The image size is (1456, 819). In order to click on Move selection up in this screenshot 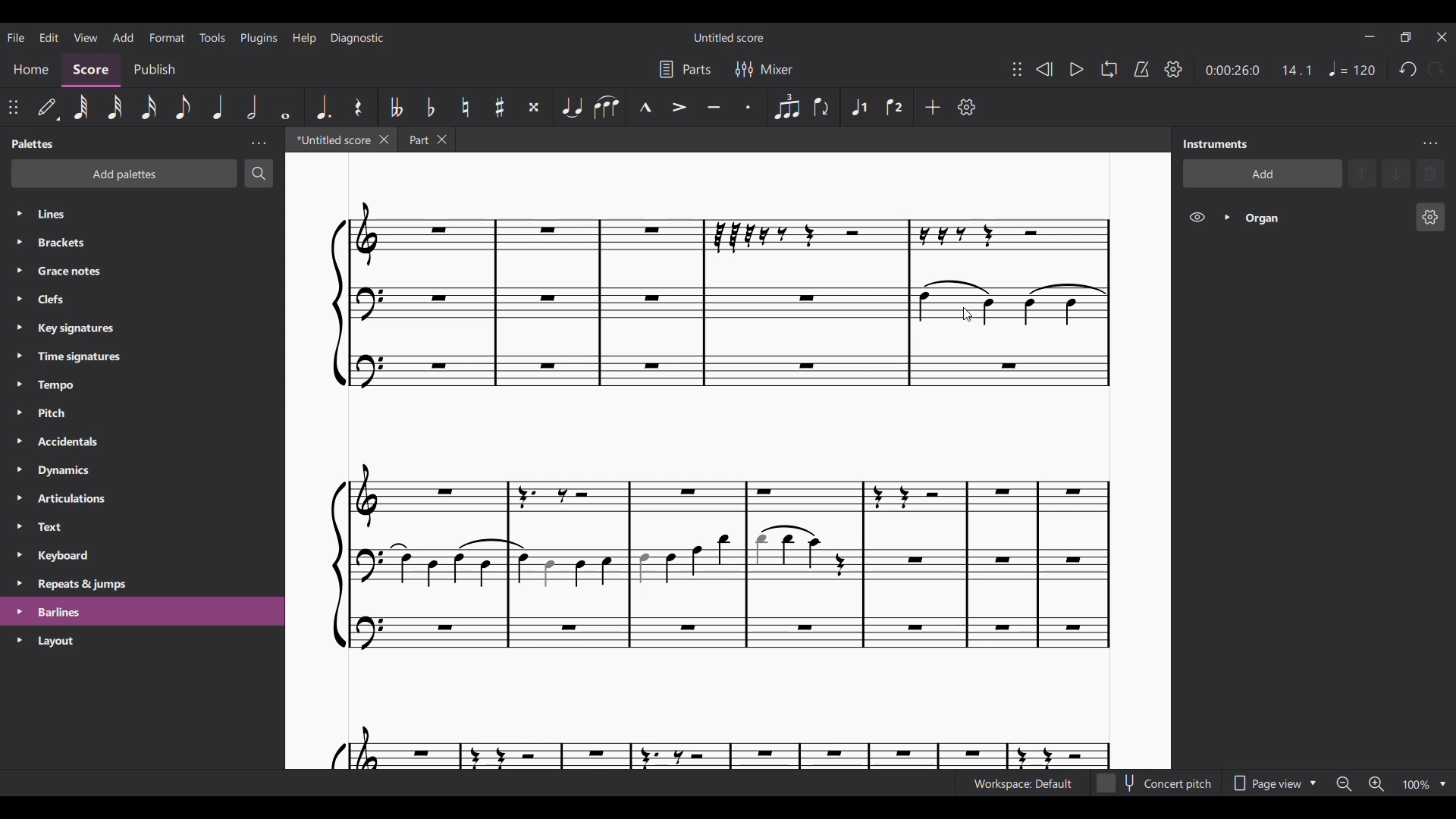, I will do `click(1362, 174)`.